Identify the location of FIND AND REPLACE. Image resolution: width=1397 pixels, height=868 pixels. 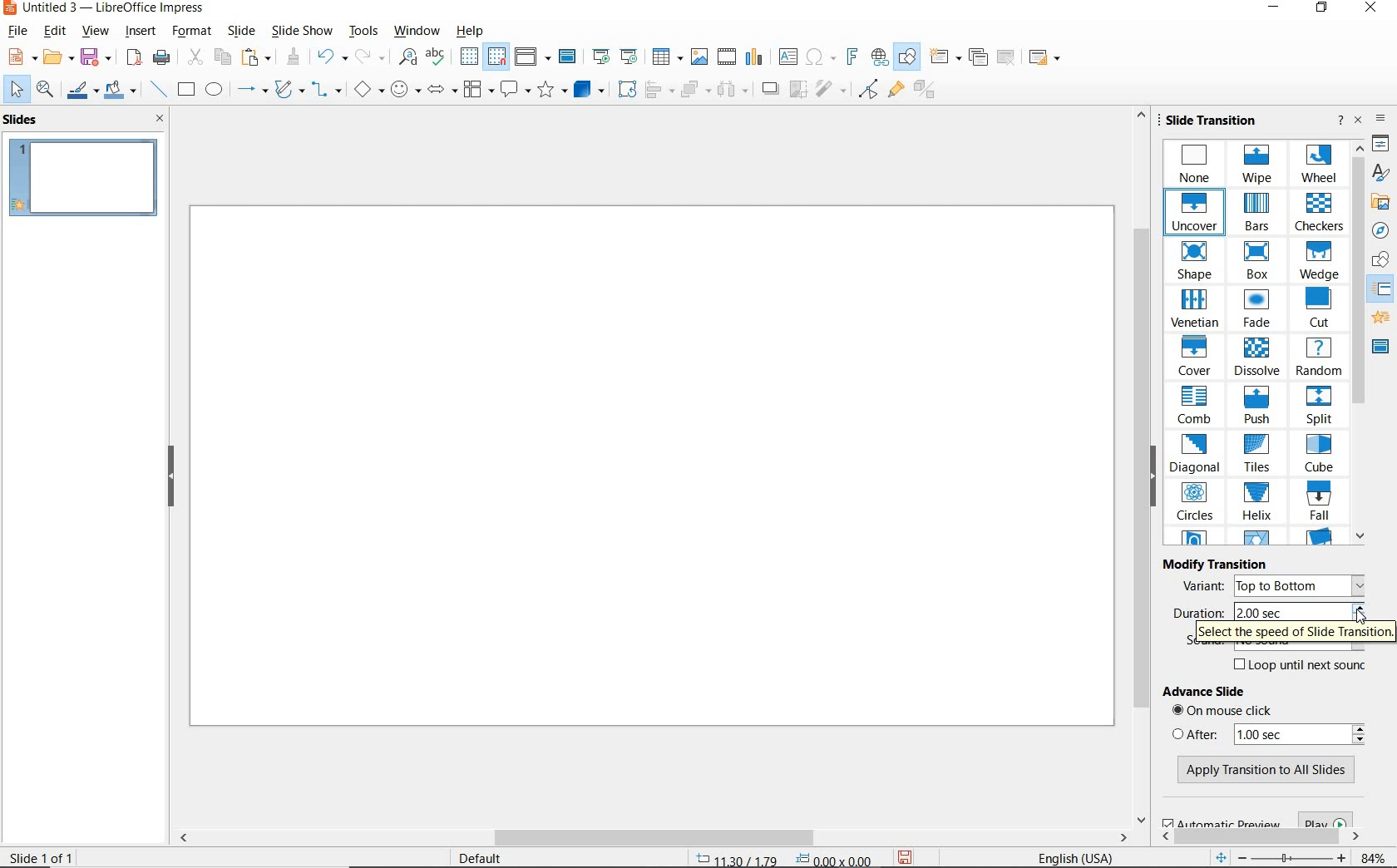
(407, 58).